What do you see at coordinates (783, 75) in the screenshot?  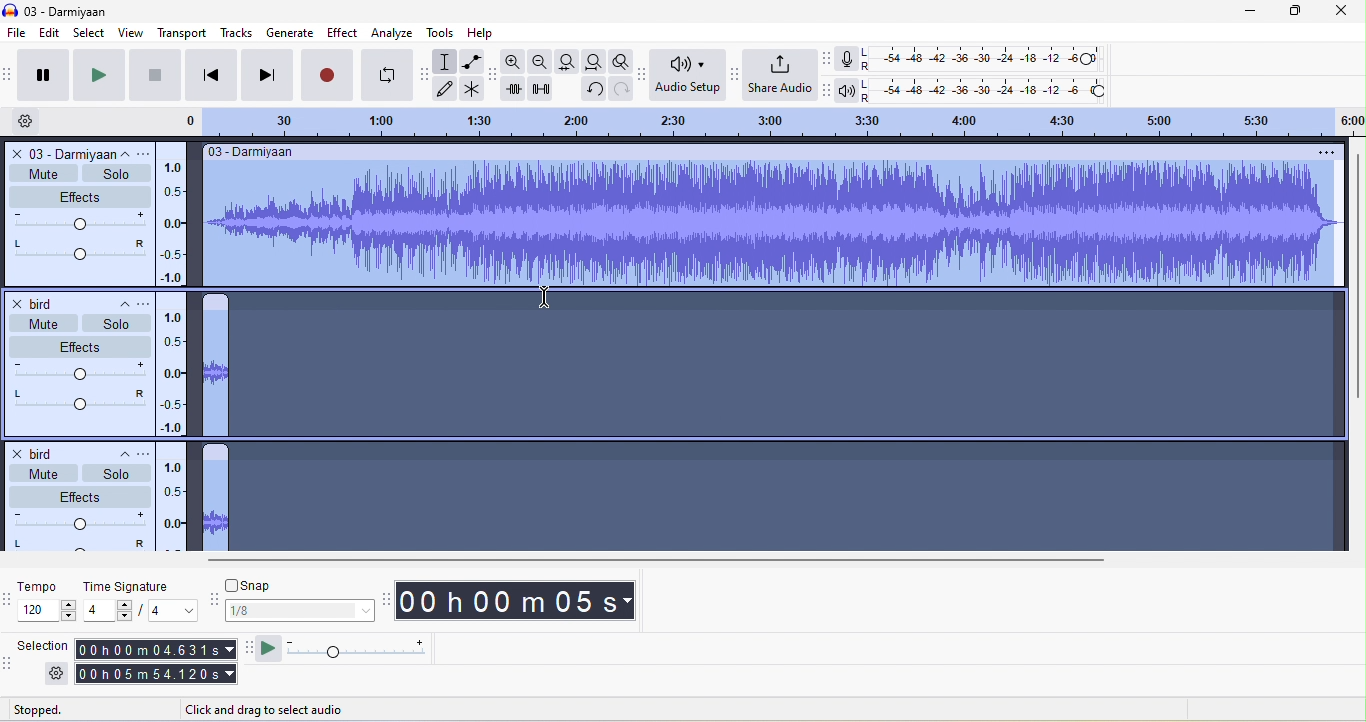 I see `share audio` at bounding box center [783, 75].